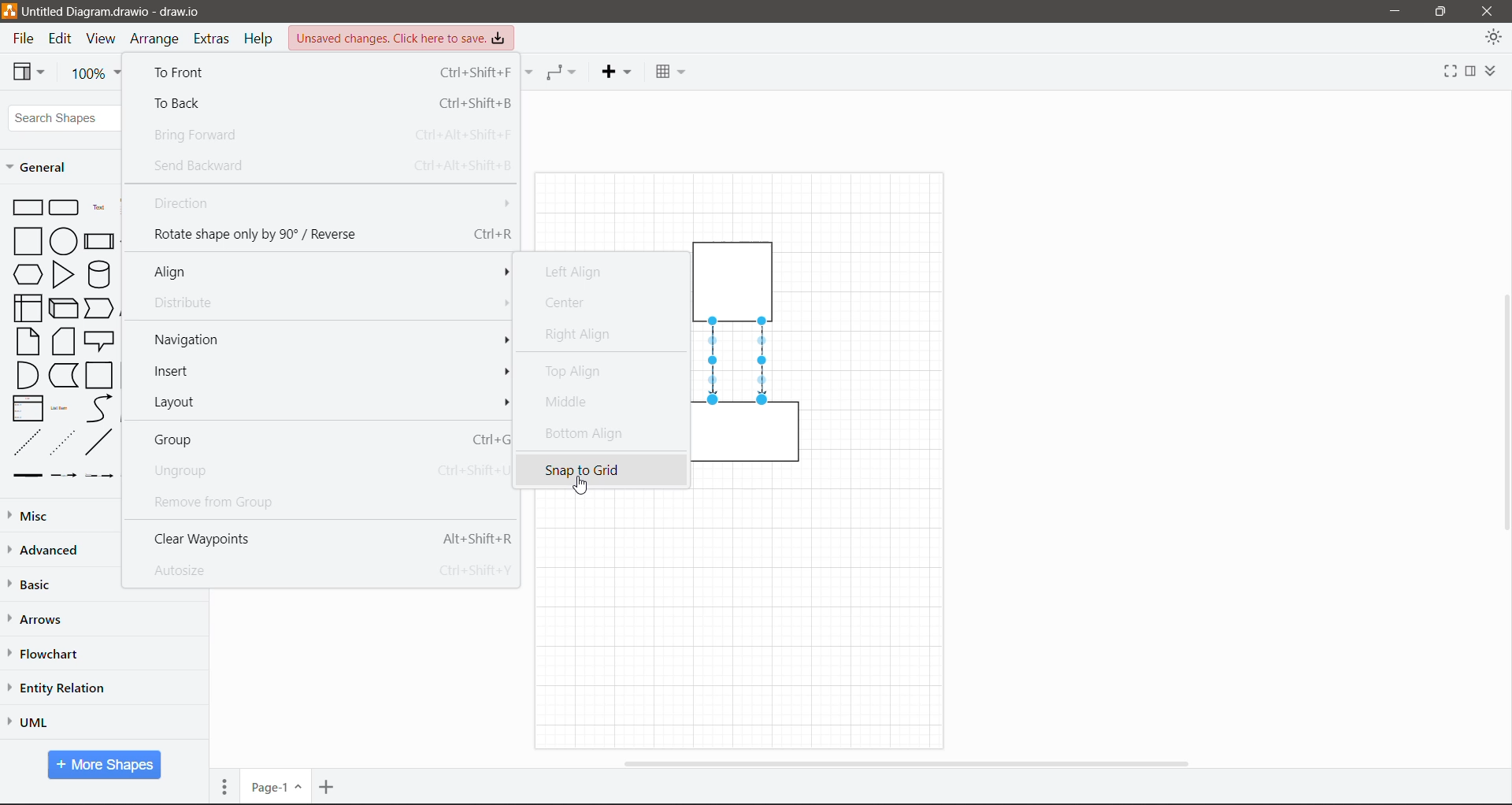  Describe the element at coordinates (261, 39) in the screenshot. I see `Help` at that location.